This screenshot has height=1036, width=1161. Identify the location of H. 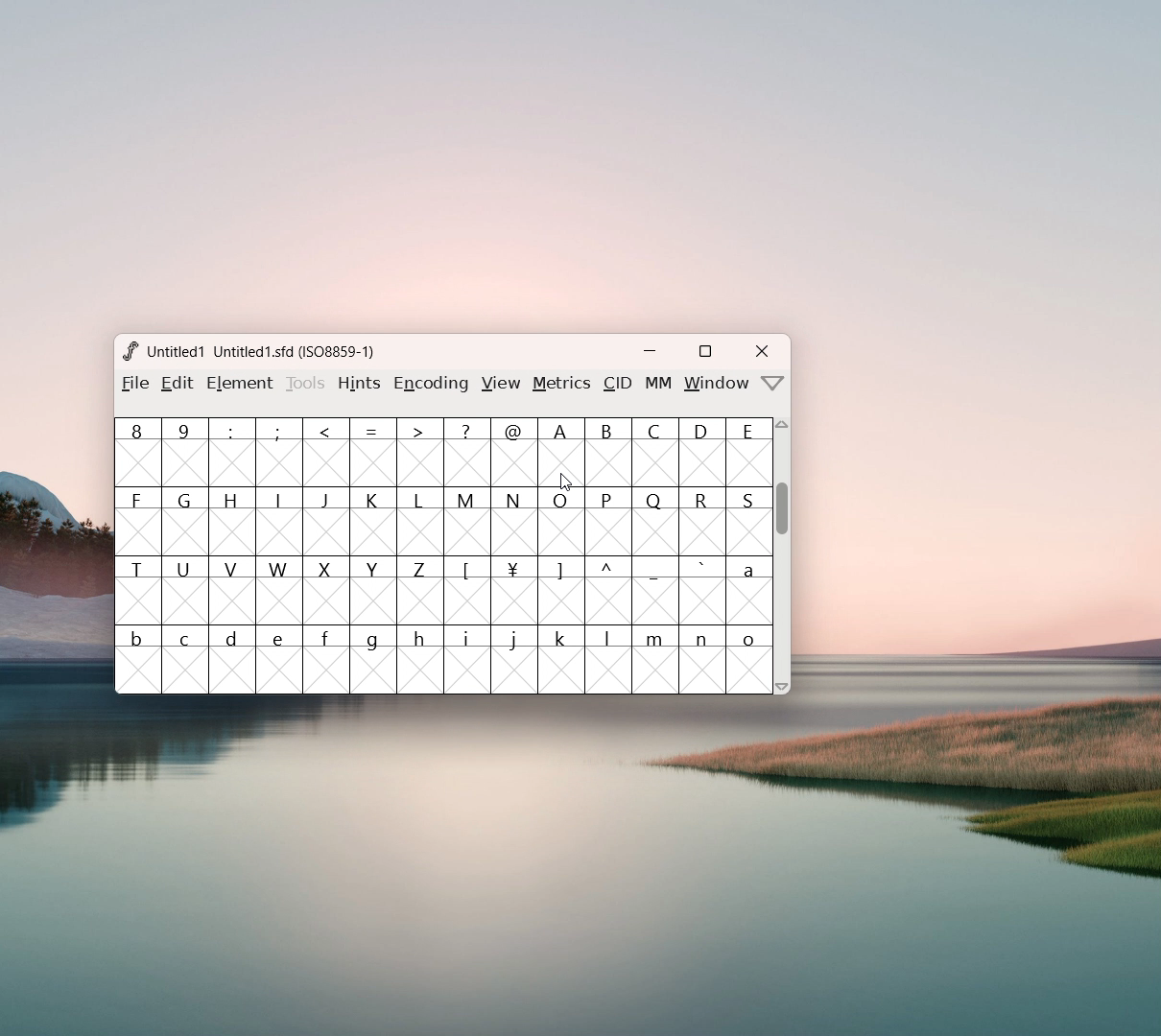
(233, 521).